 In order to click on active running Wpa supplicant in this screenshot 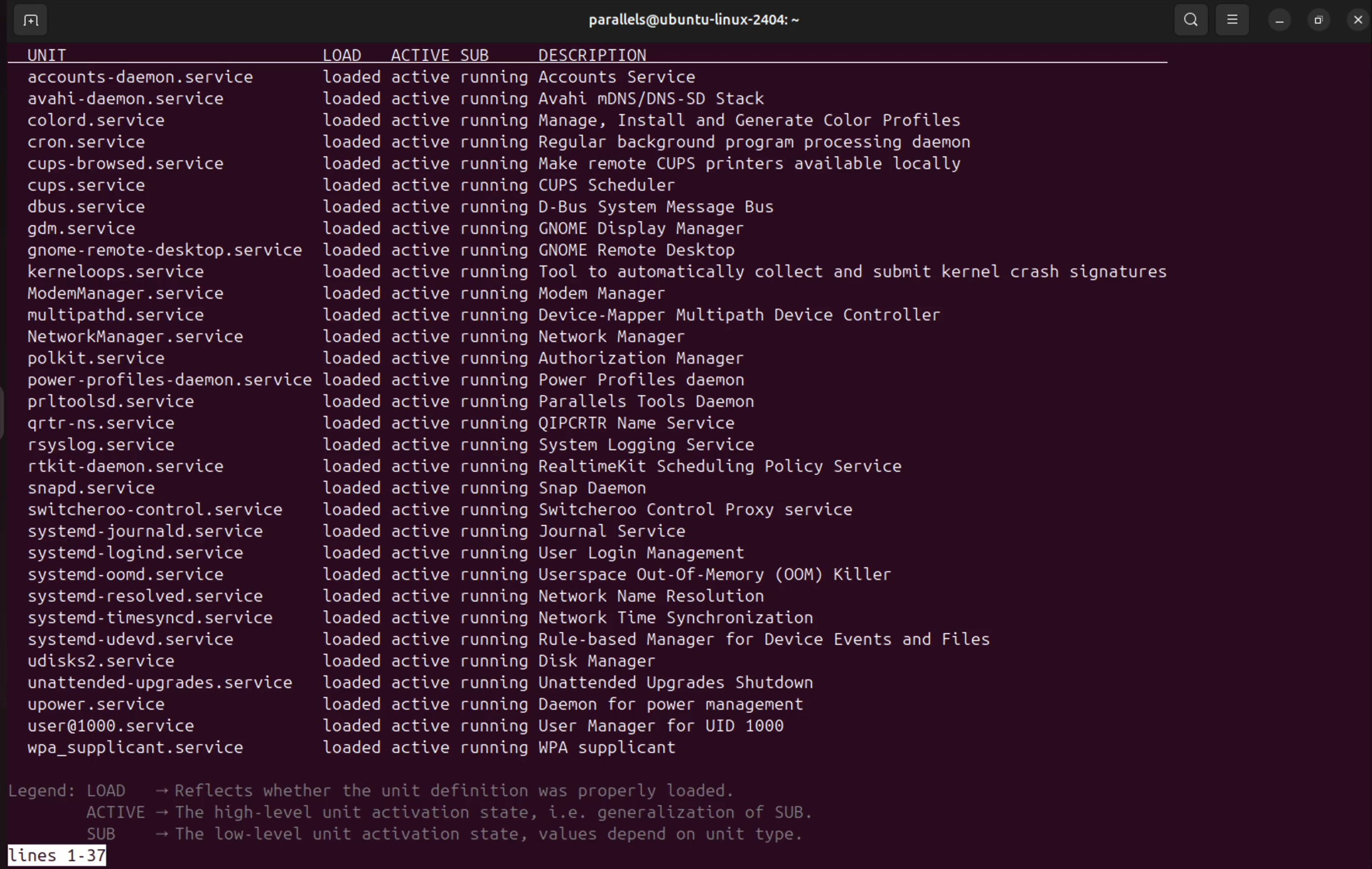, I will do `click(561, 749)`.